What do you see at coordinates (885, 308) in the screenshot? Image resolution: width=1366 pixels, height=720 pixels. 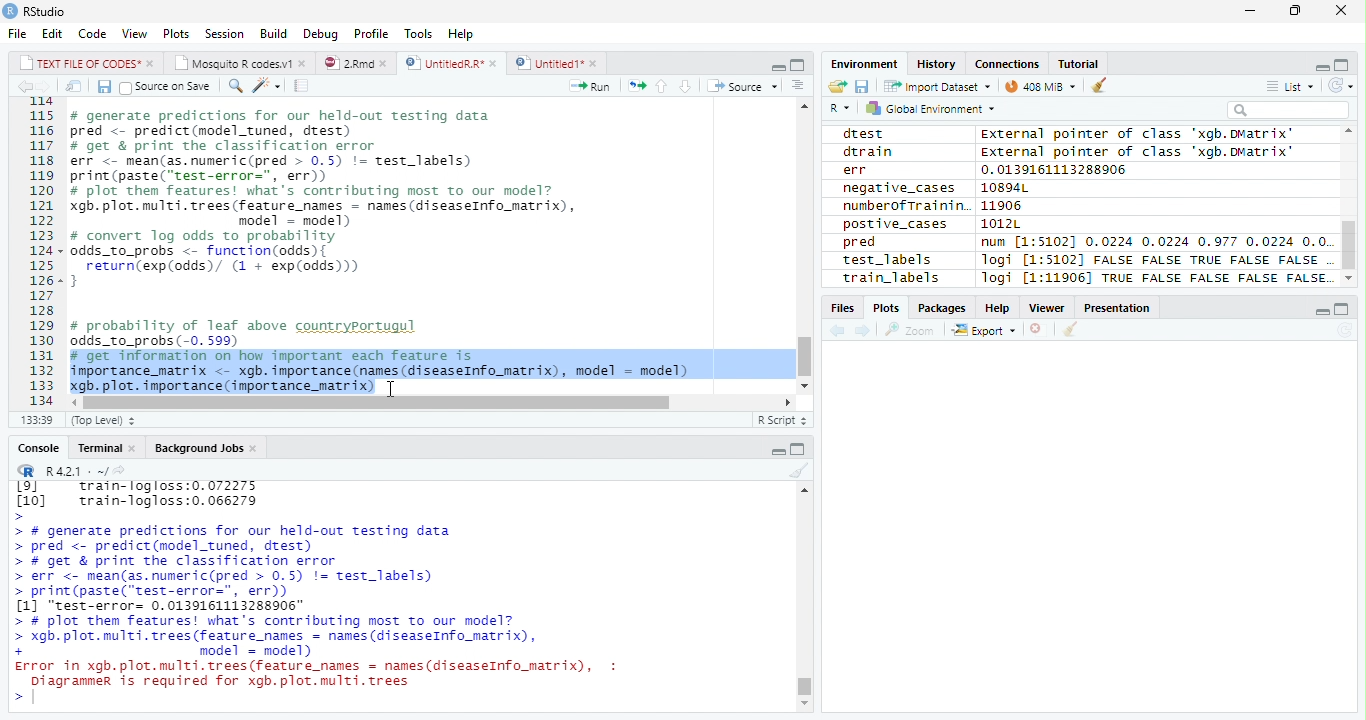 I see `Plots` at bounding box center [885, 308].